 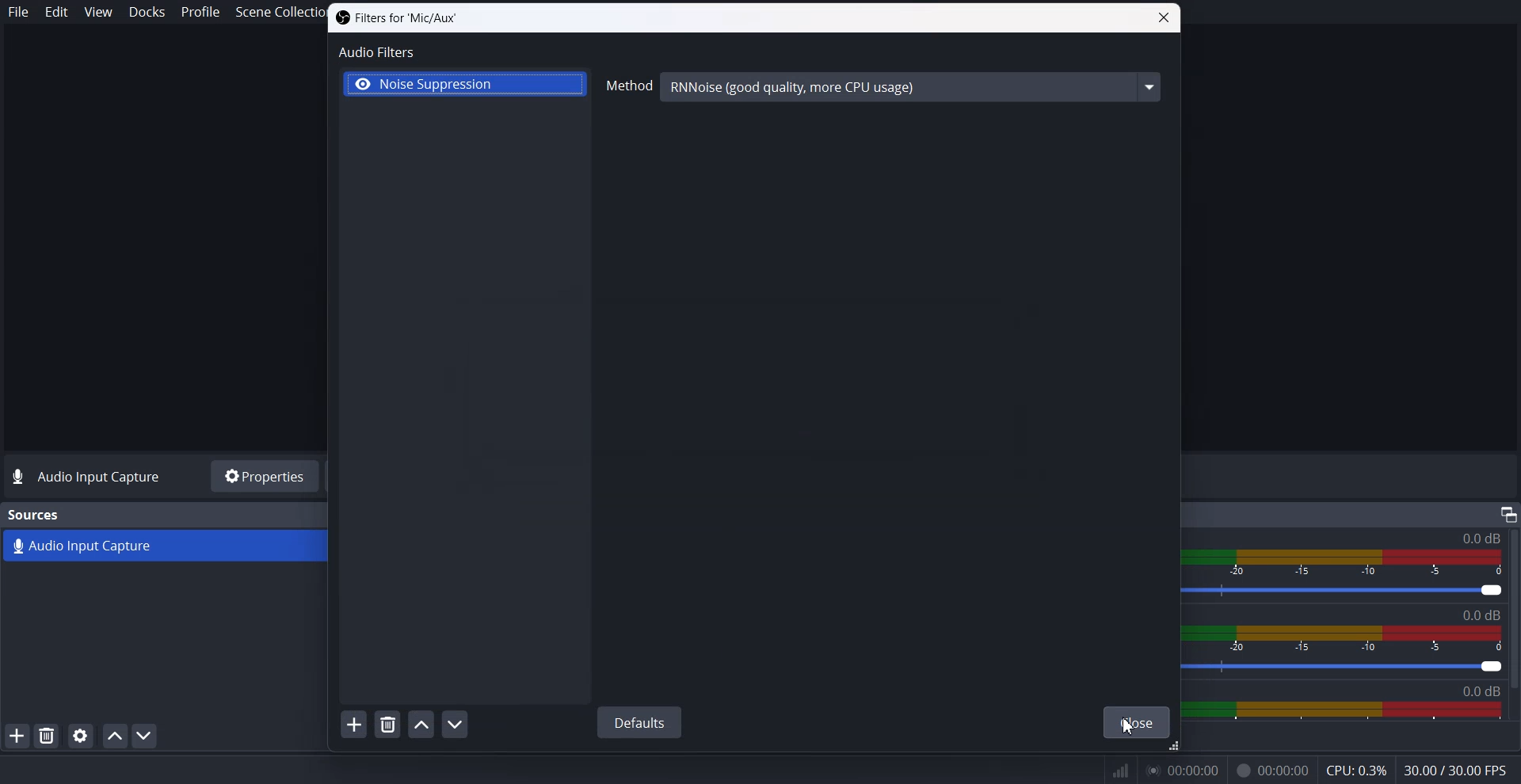 I want to click on Profile, so click(x=200, y=12).